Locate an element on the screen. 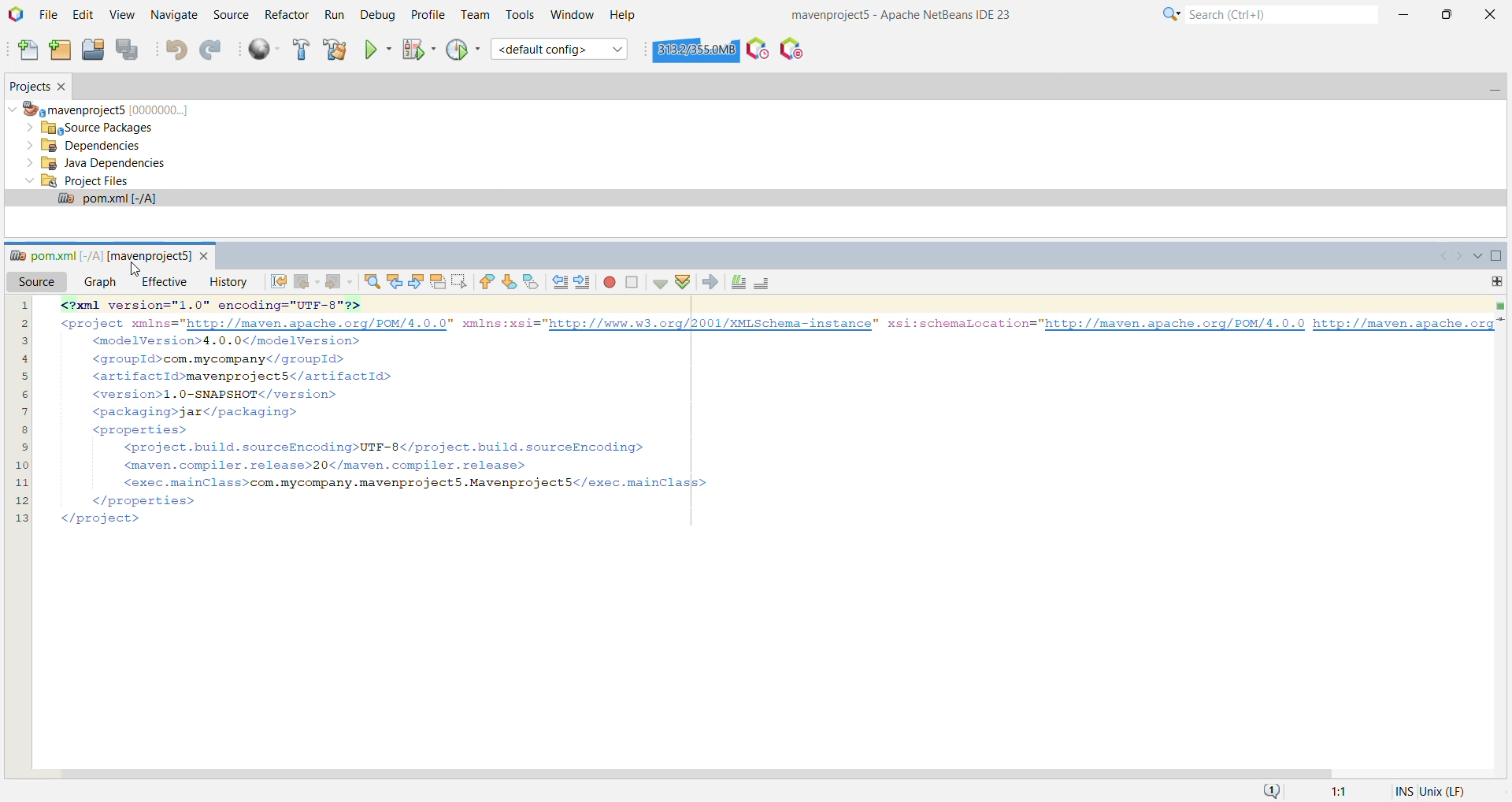 The width and height of the screenshot is (1512, 802). Profile Project is located at coordinates (463, 50).